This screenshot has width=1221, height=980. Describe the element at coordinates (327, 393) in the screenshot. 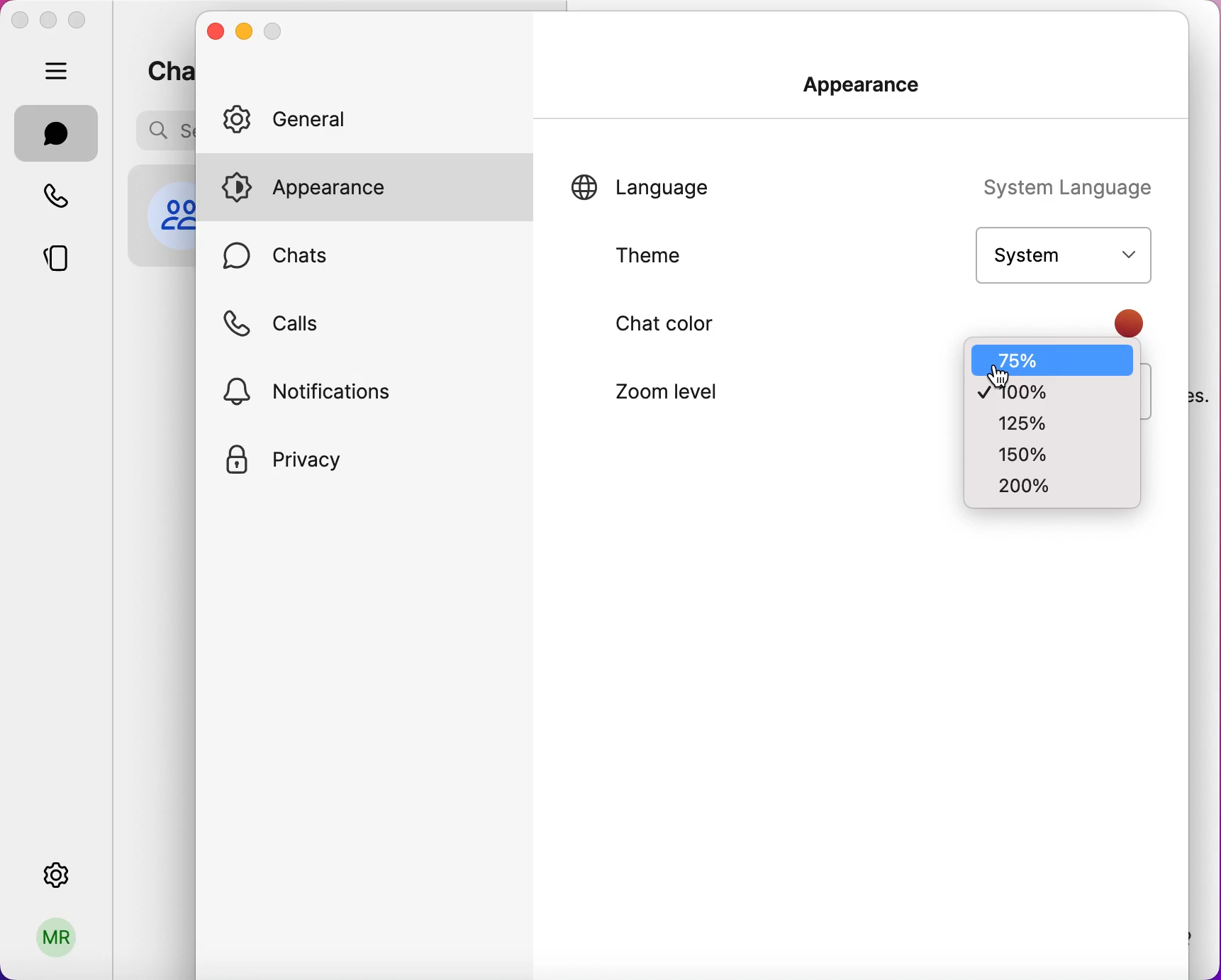

I see `notifications` at that location.